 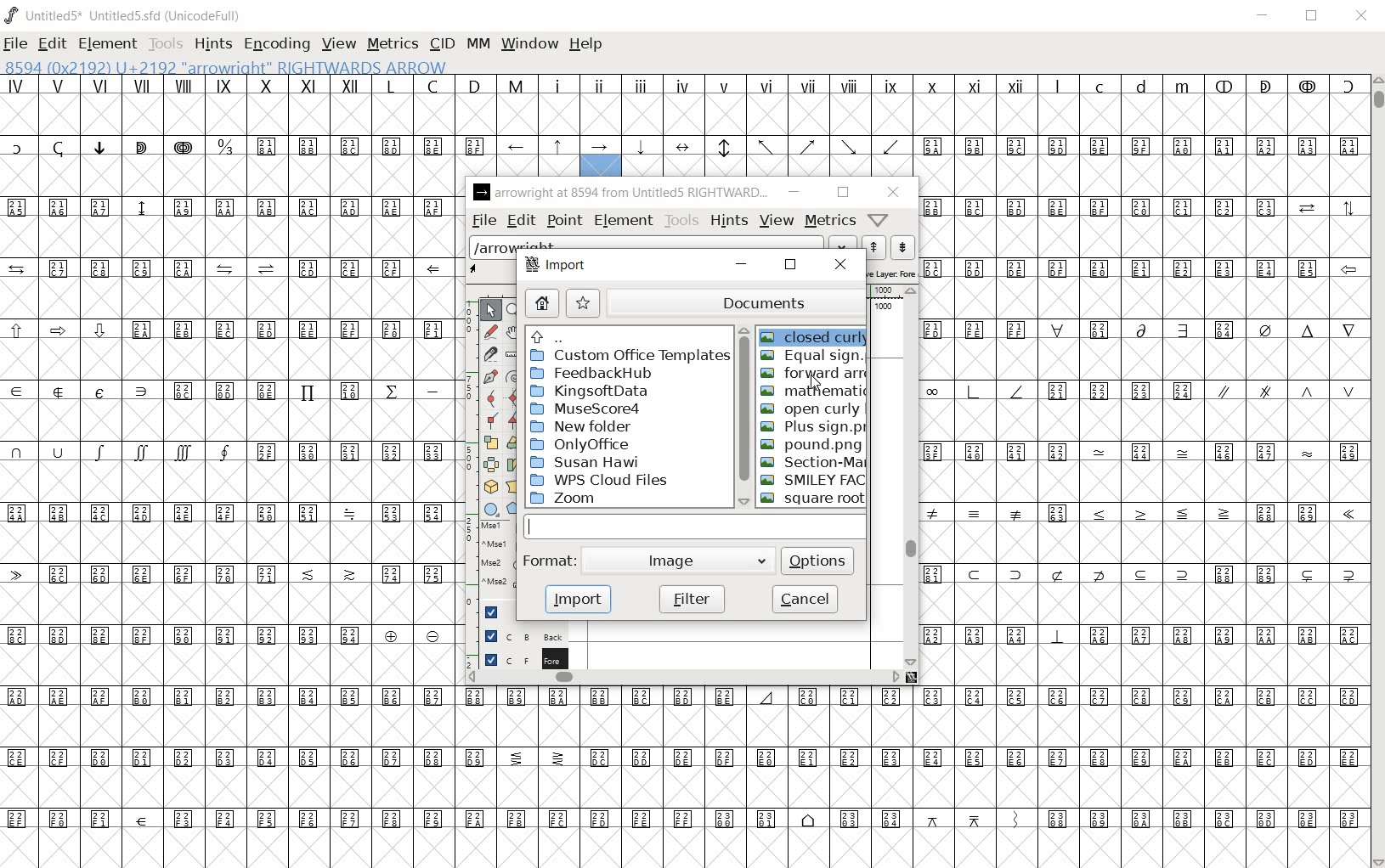 I want to click on pointer, so click(x=490, y=312).